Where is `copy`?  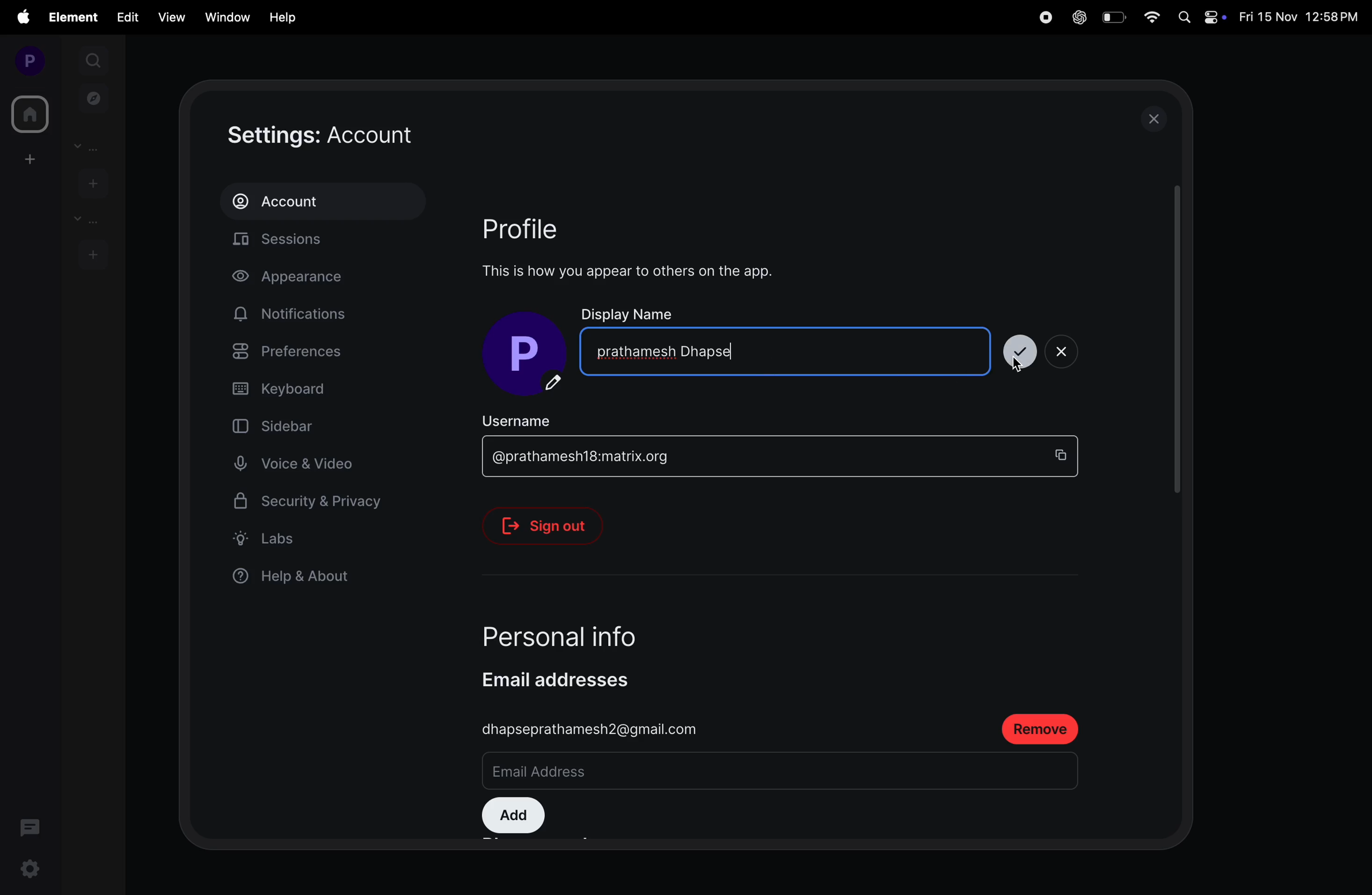 copy is located at coordinates (1065, 454).